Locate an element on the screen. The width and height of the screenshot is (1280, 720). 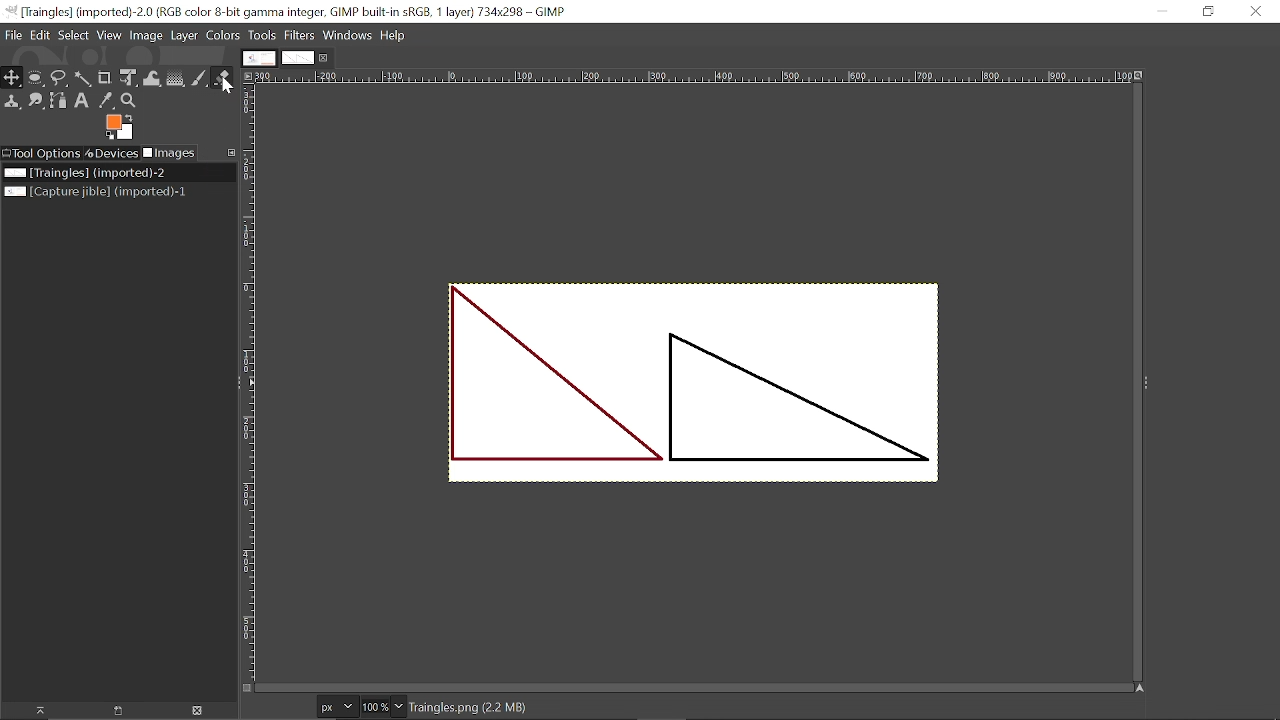
Delete image is located at coordinates (194, 710).